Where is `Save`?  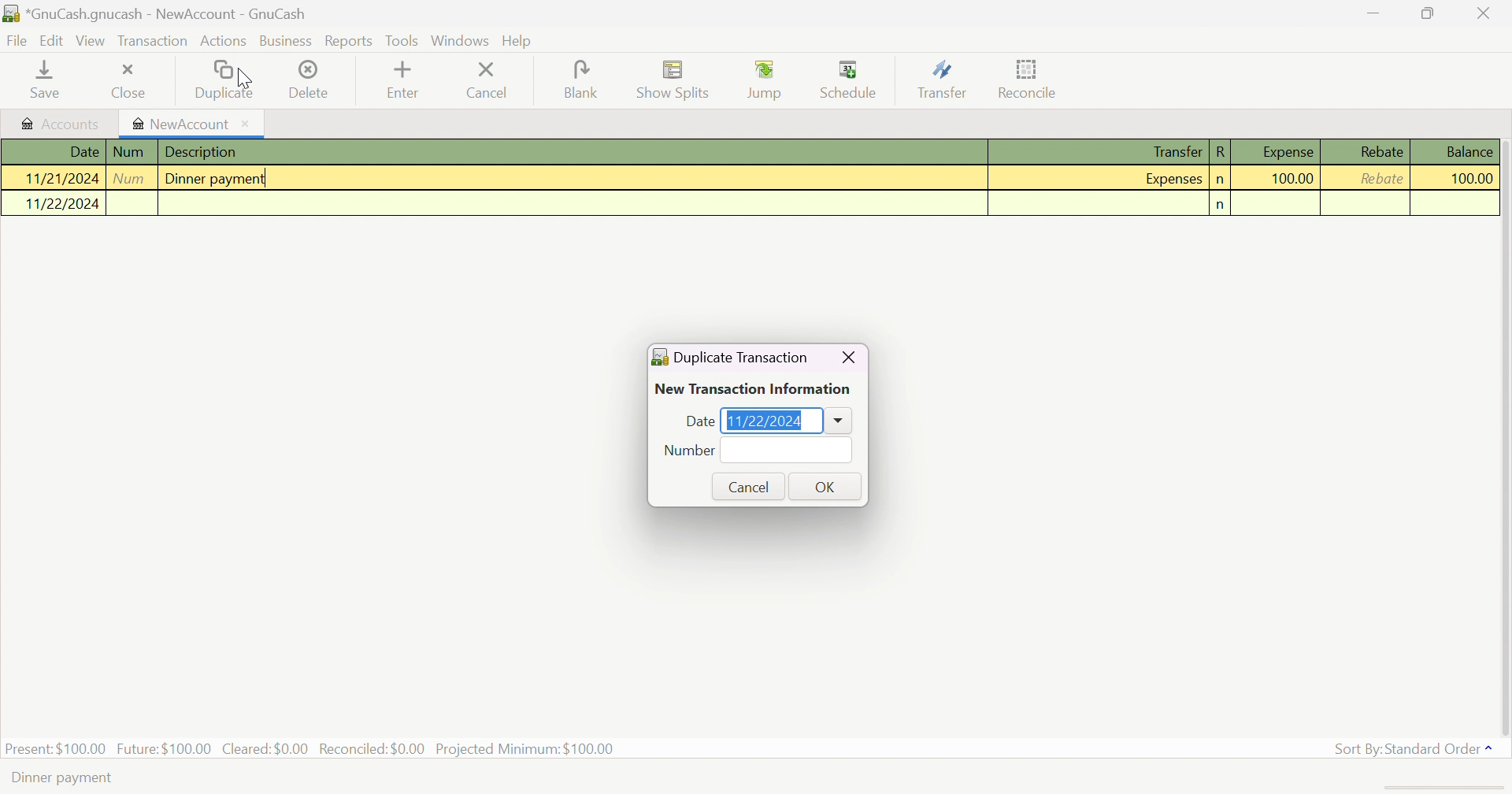 Save is located at coordinates (39, 82).